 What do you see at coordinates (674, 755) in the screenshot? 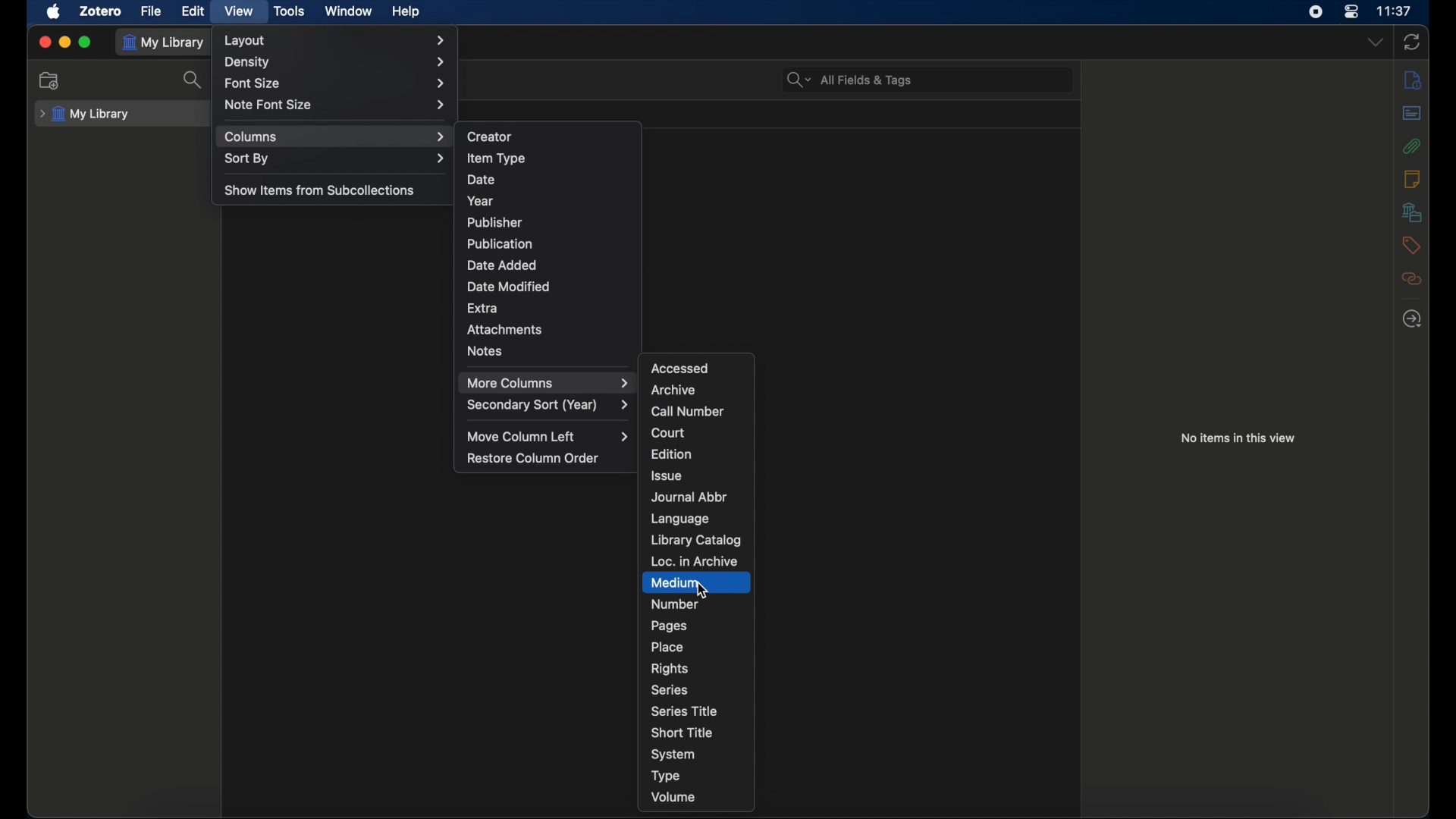
I see `system` at bounding box center [674, 755].